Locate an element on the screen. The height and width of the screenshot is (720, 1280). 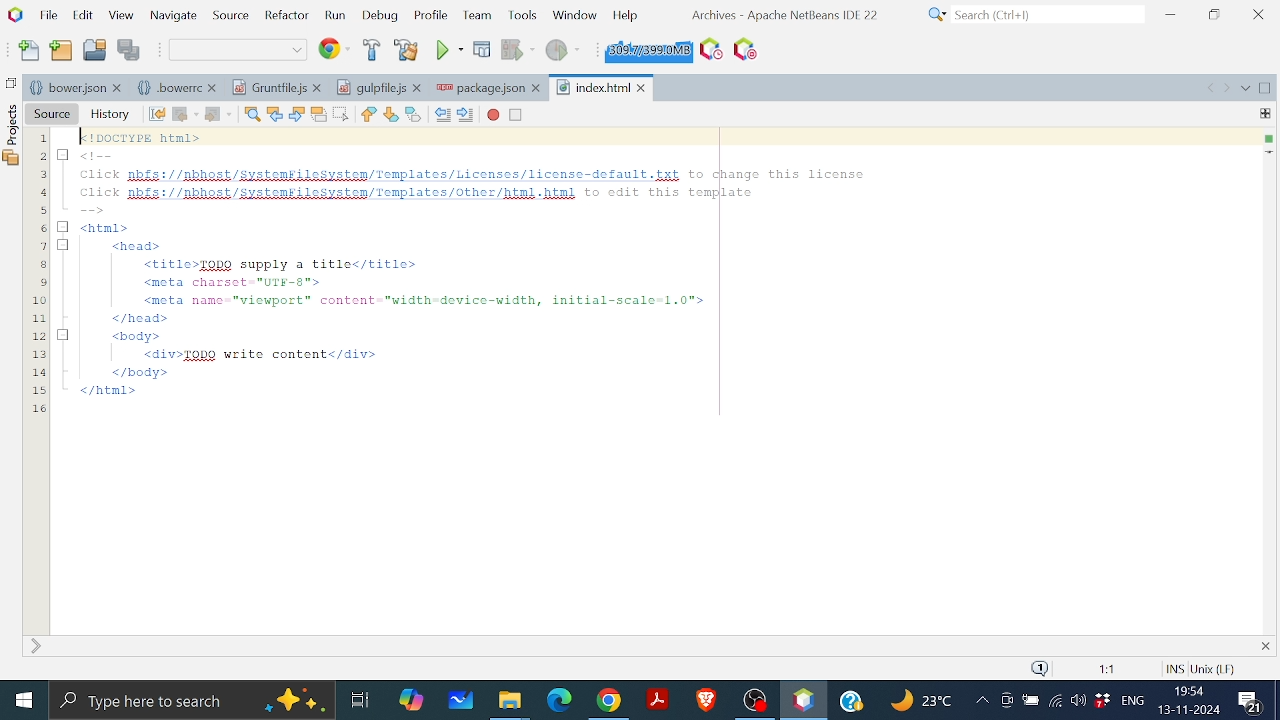
Index.html is located at coordinates (593, 87).